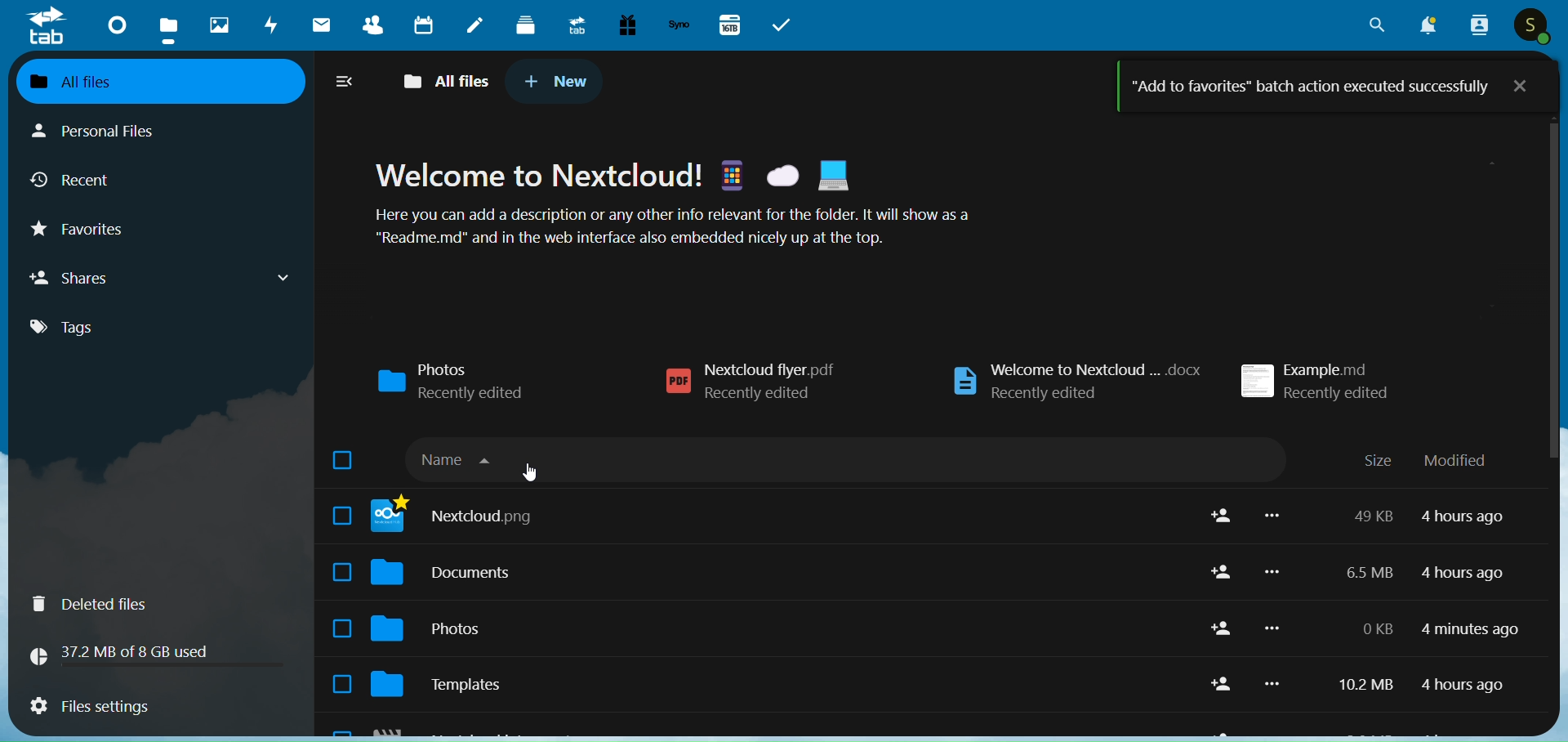 This screenshot has width=1568, height=742. I want to click on task, so click(782, 25).